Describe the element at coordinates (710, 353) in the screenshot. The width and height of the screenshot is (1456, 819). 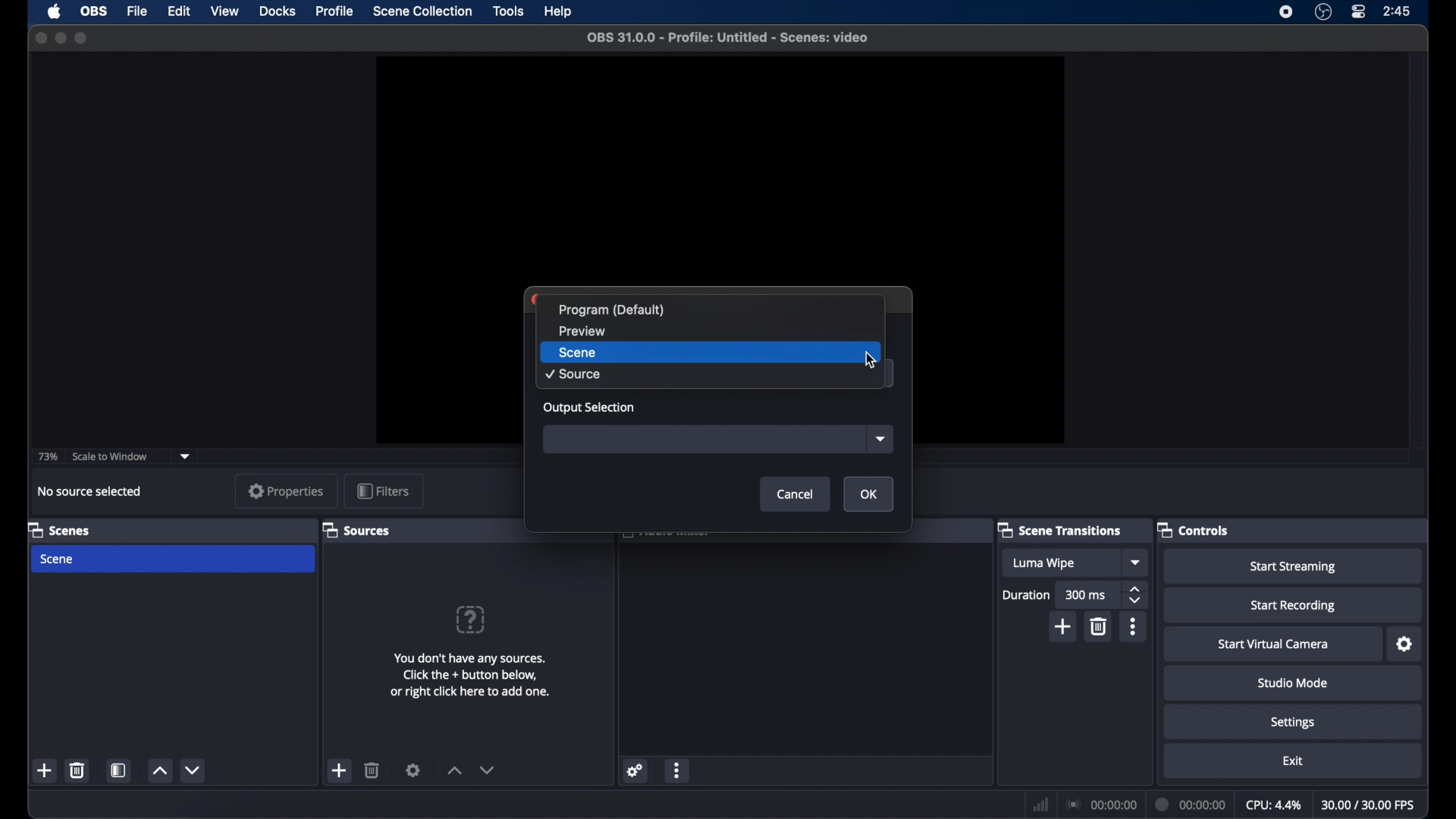
I see `scene` at that location.